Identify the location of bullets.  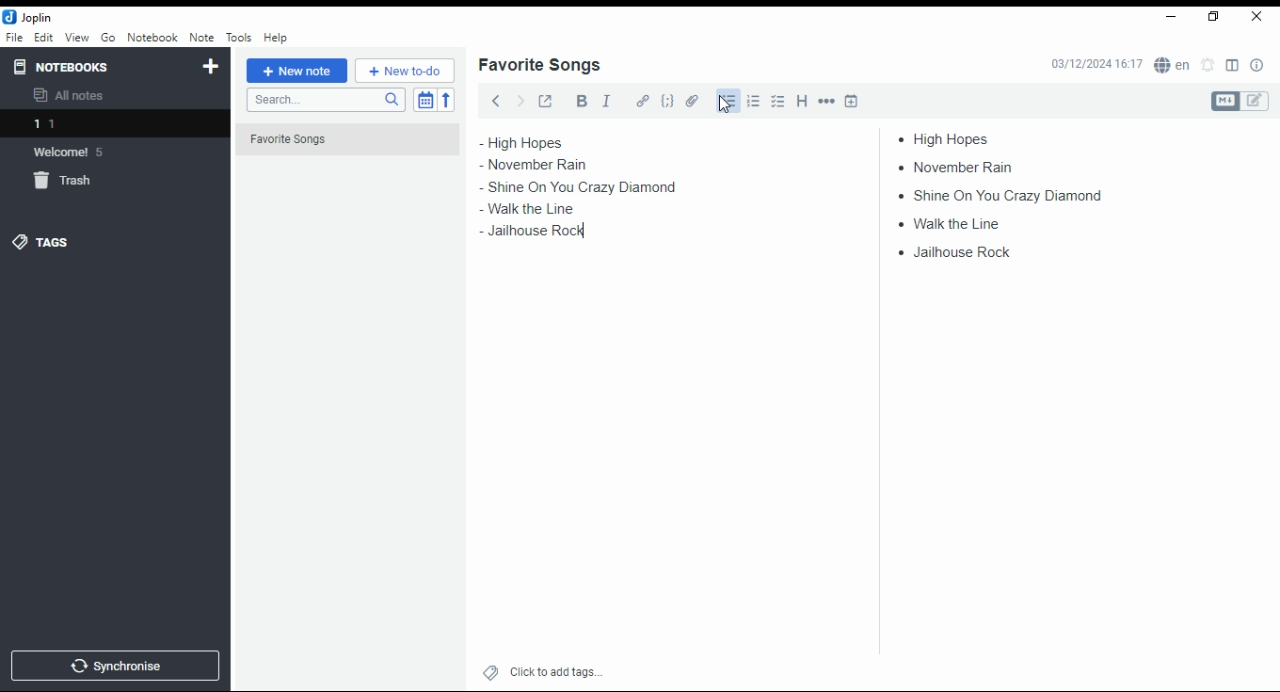
(726, 101).